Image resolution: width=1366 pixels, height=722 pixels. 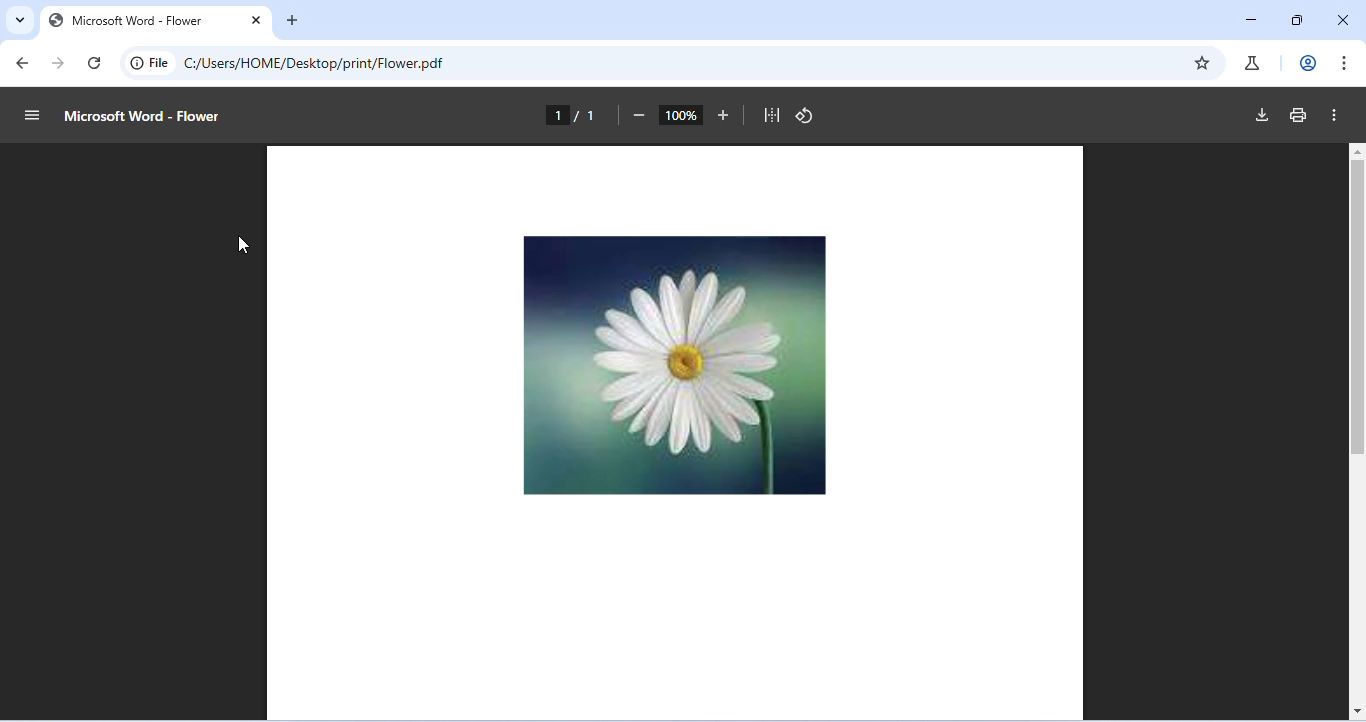 I want to click on file, so click(x=149, y=62).